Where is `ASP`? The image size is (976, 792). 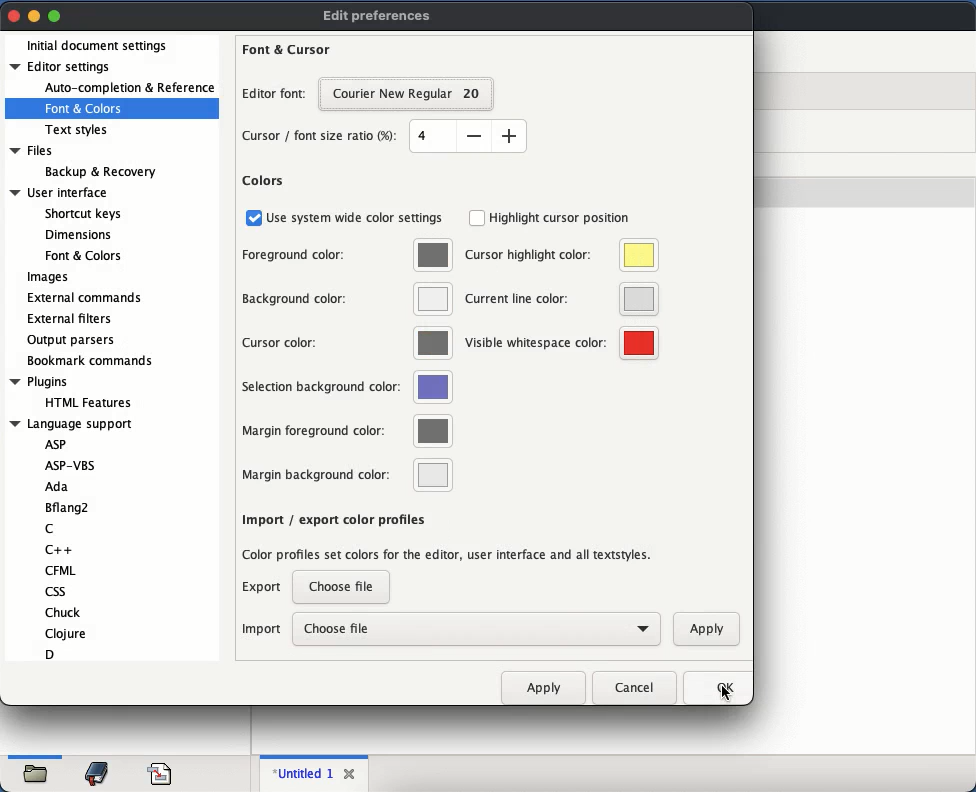
ASP is located at coordinates (58, 444).